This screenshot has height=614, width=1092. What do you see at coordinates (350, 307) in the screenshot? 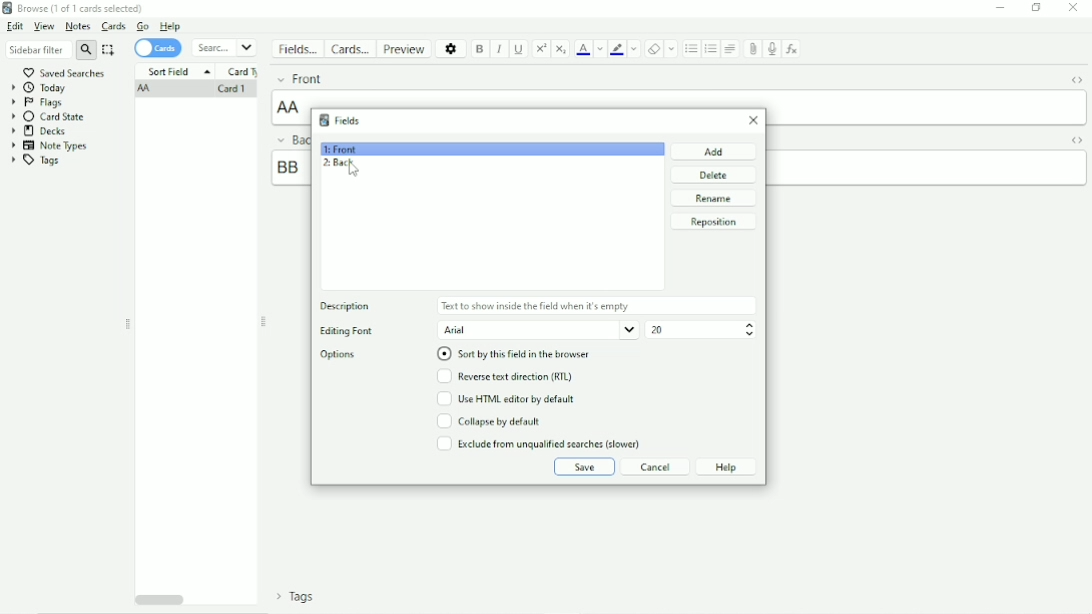
I see `Deposition` at bounding box center [350, 307].